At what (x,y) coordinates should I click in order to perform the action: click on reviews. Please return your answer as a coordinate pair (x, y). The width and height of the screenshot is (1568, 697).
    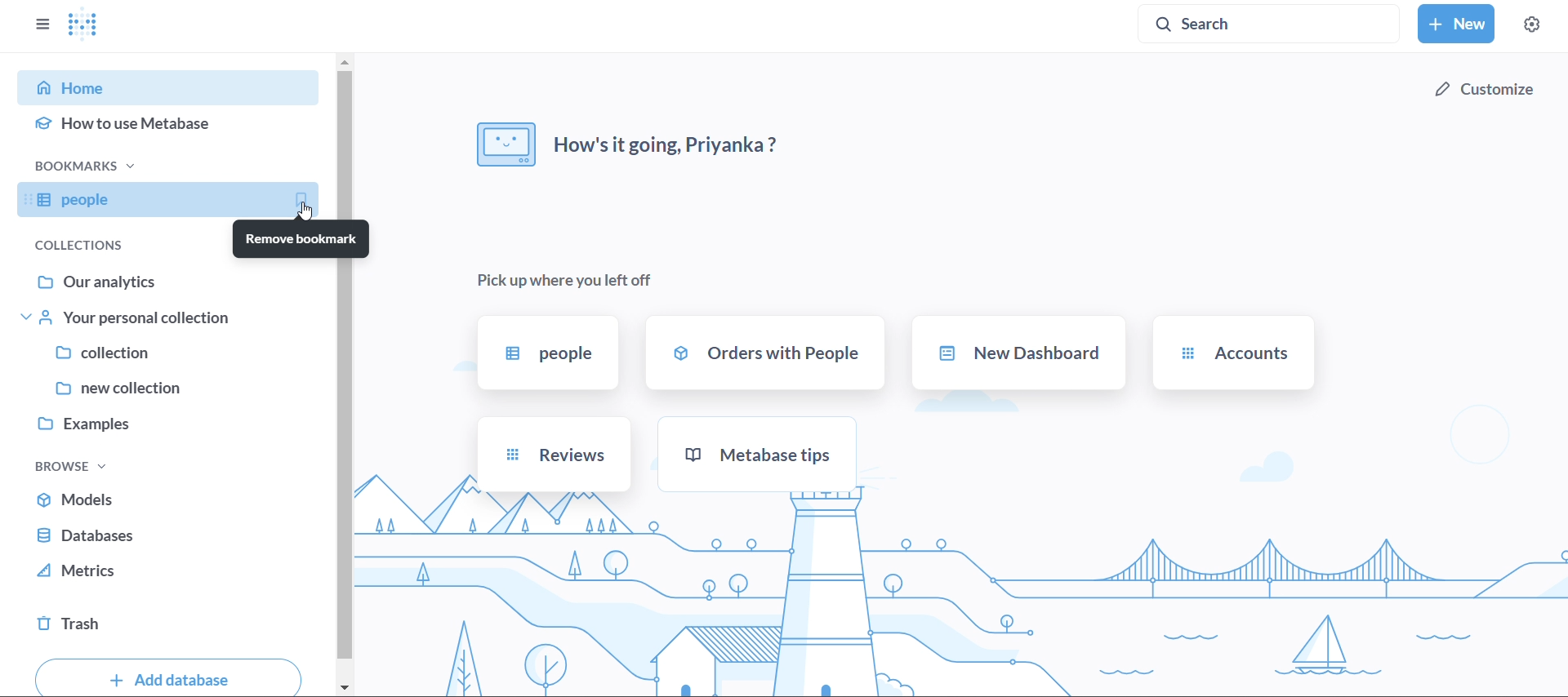
    Looking at the image, I should click on (554, 455).